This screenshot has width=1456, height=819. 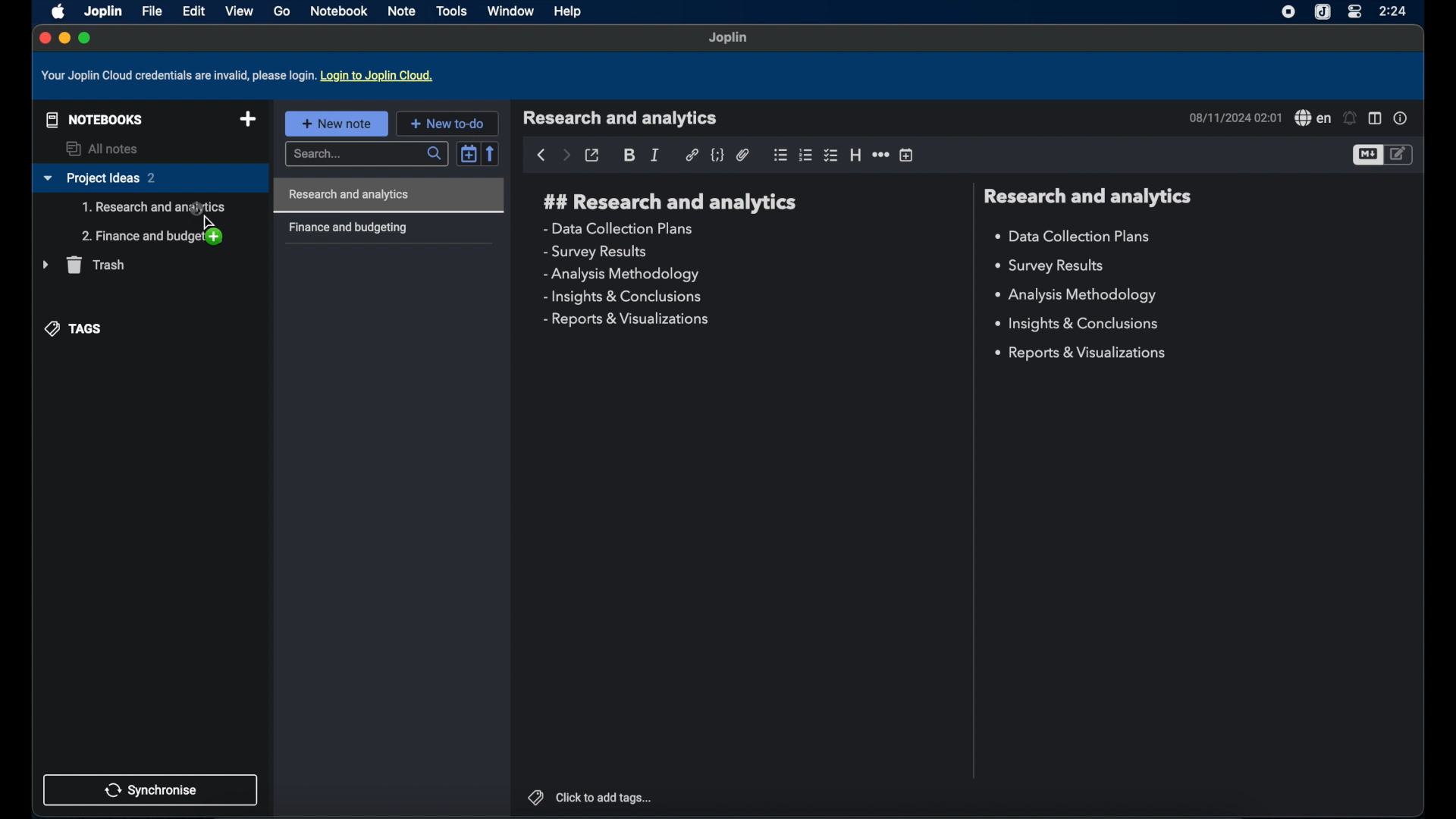 What do you see at coordinates (620, 228) in the screenshot?
I see `data collection plans` at bounding box center [620, 228].